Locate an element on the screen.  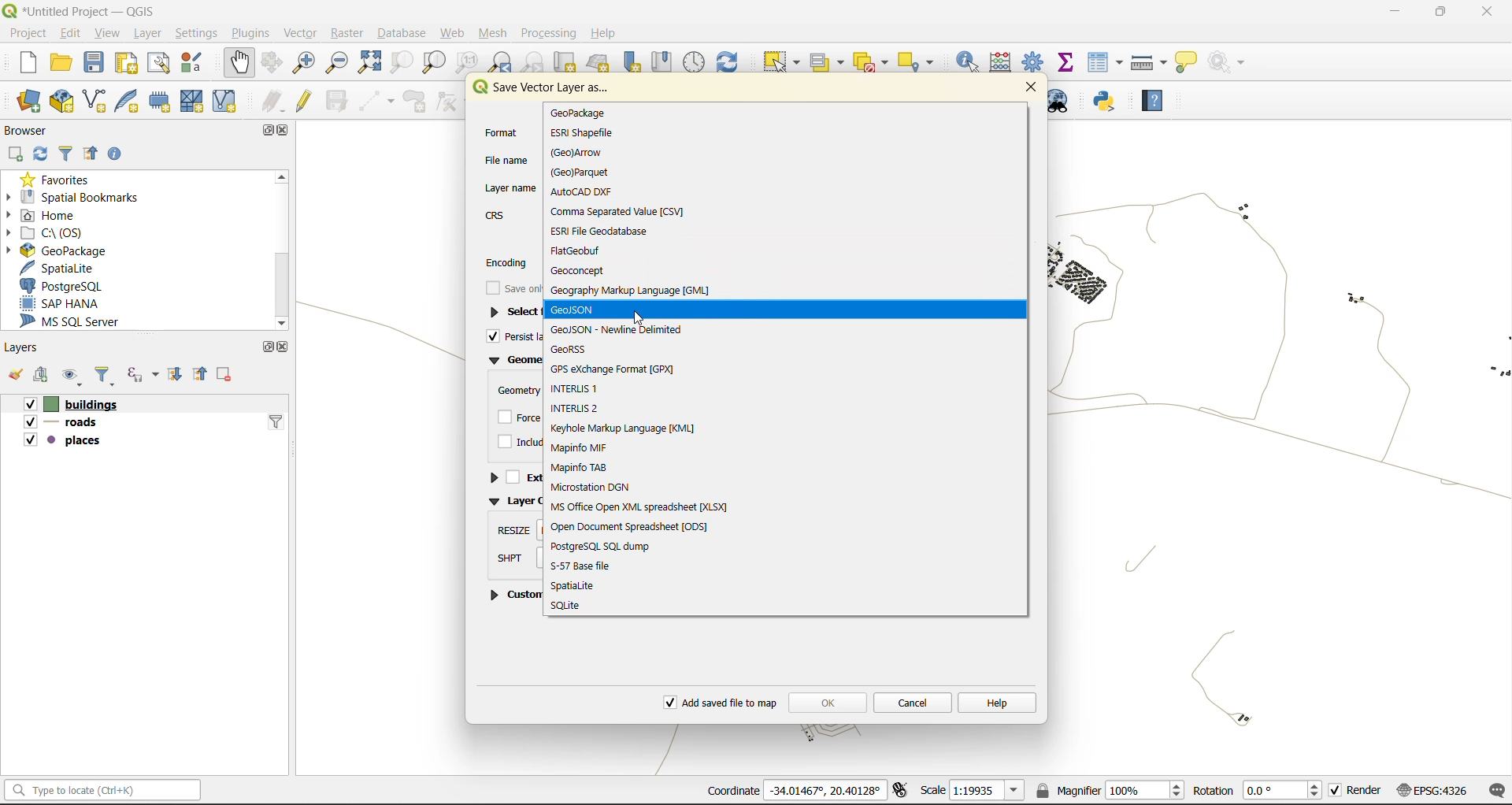
add polygon is located at coordinates (417, 102).